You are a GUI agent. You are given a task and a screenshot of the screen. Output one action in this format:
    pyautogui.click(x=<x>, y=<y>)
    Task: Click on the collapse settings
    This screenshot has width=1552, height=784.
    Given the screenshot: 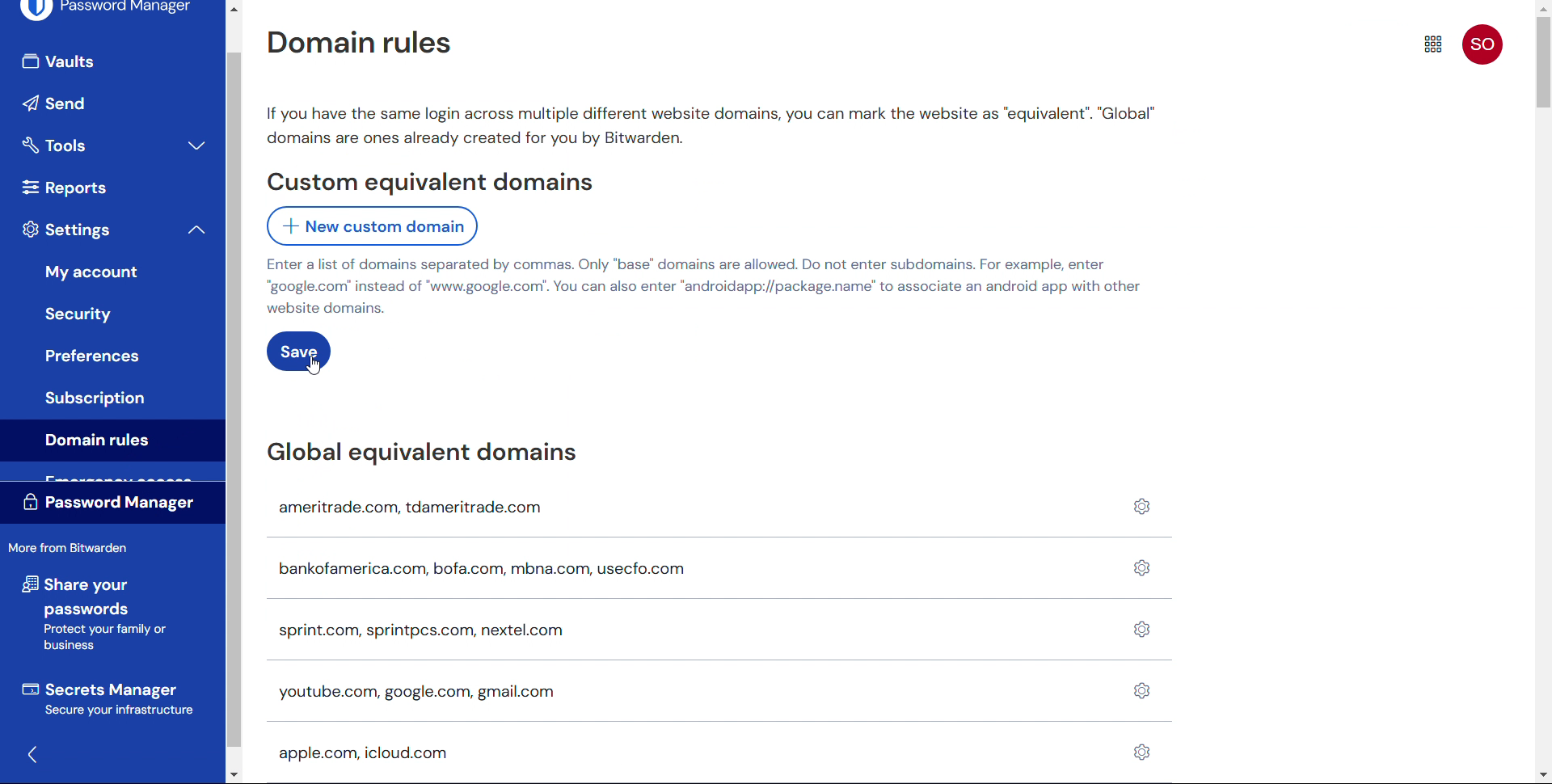 What is the action you would take?
    pyautogui.click(x=194, y=229)
    